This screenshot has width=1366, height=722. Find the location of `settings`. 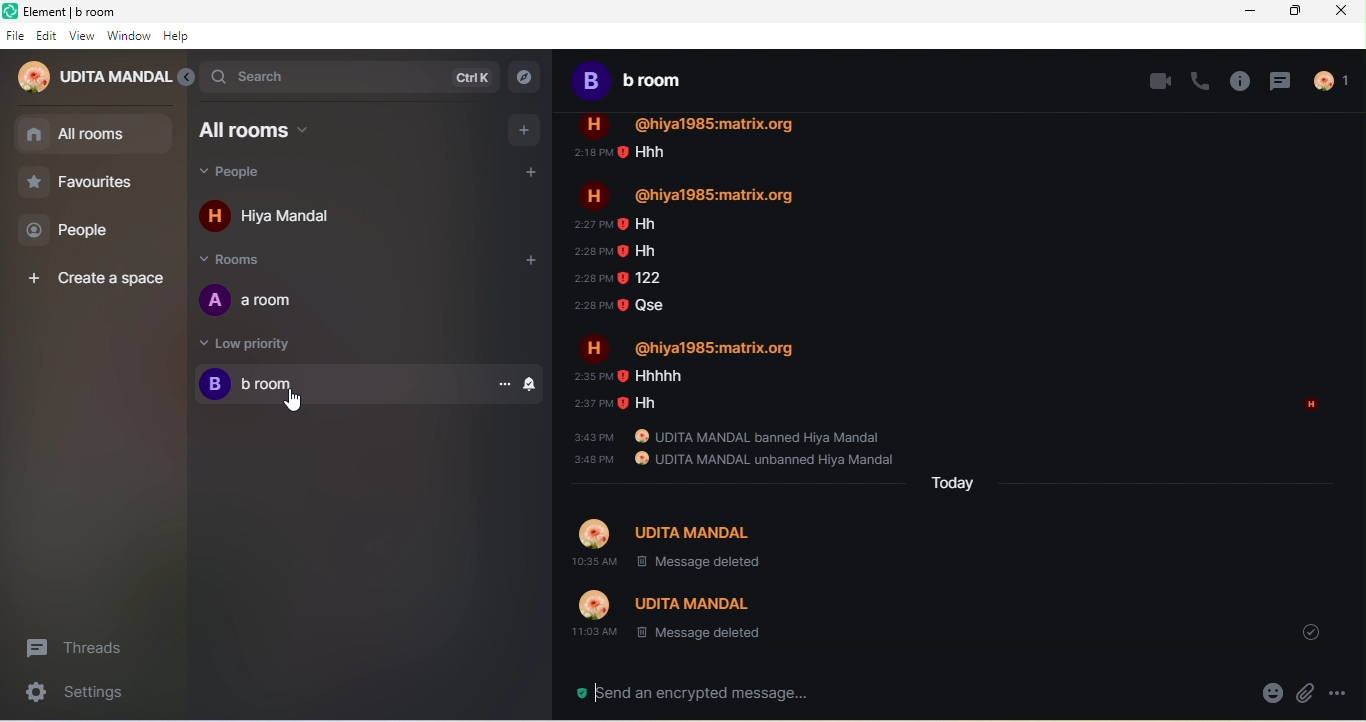

settings is located at coordinates (75, 695).